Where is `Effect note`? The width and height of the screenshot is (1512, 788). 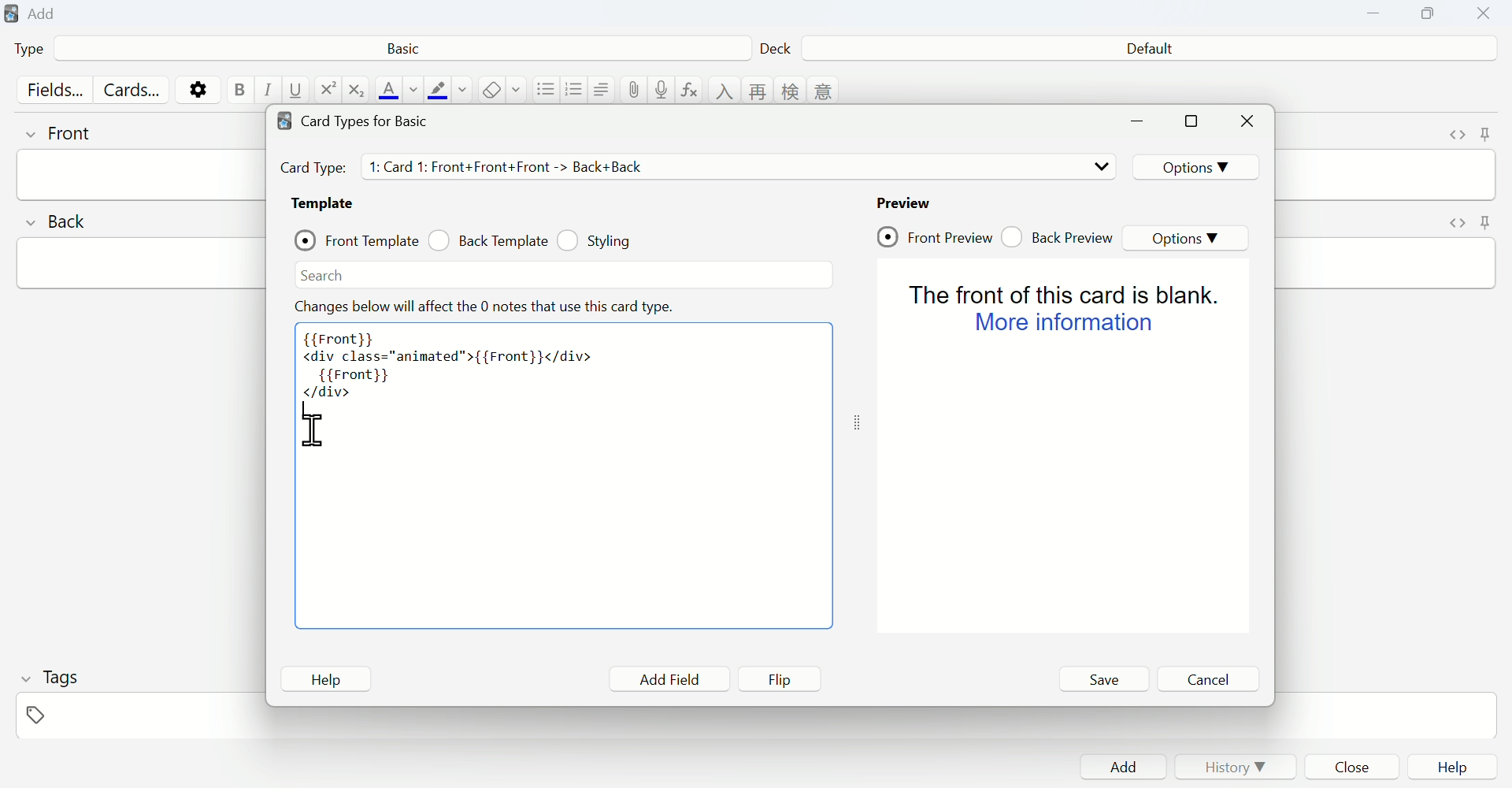 Effect note is located at coordinates (487, 305).